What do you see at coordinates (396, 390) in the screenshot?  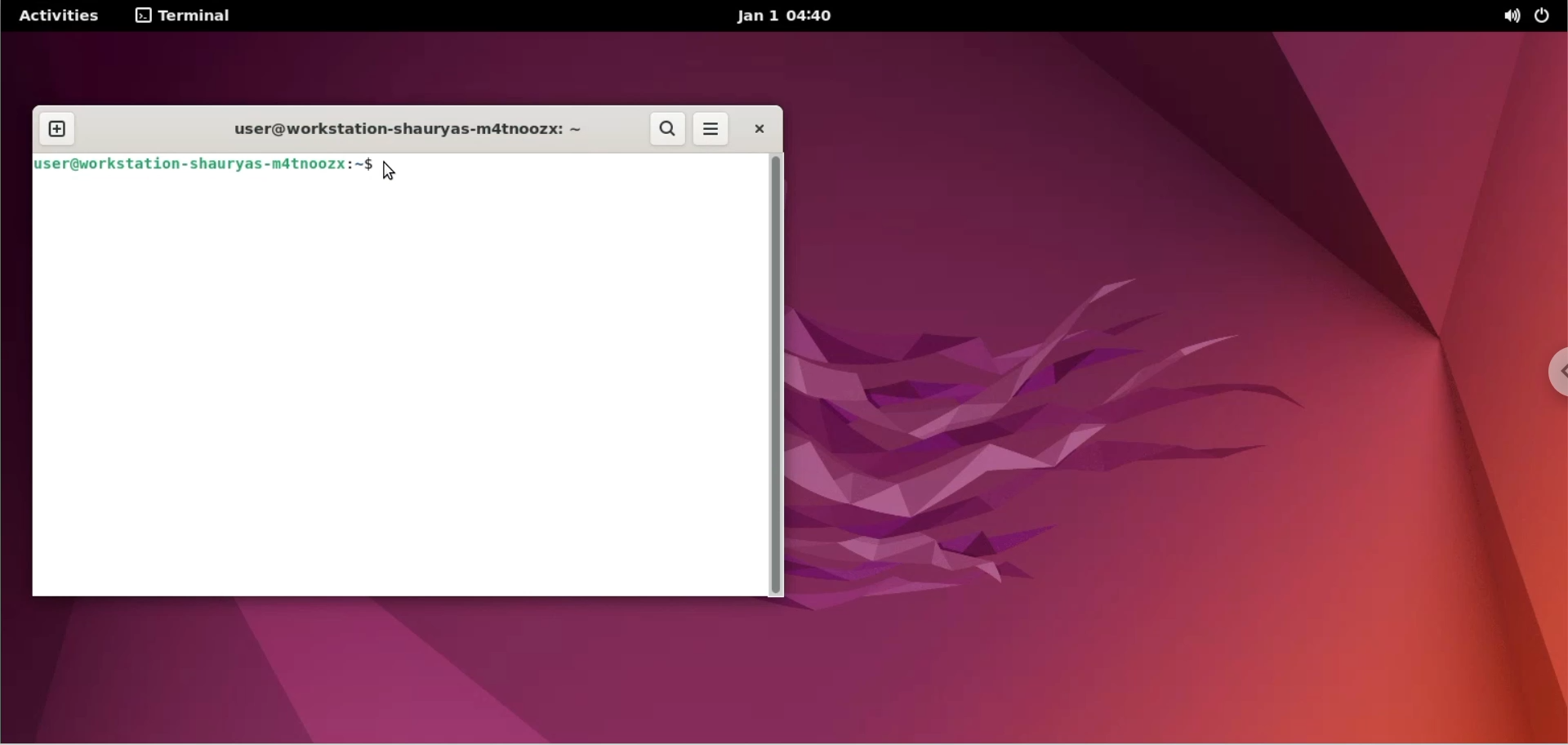 I see `command input box` at bounding box center [396, 390].